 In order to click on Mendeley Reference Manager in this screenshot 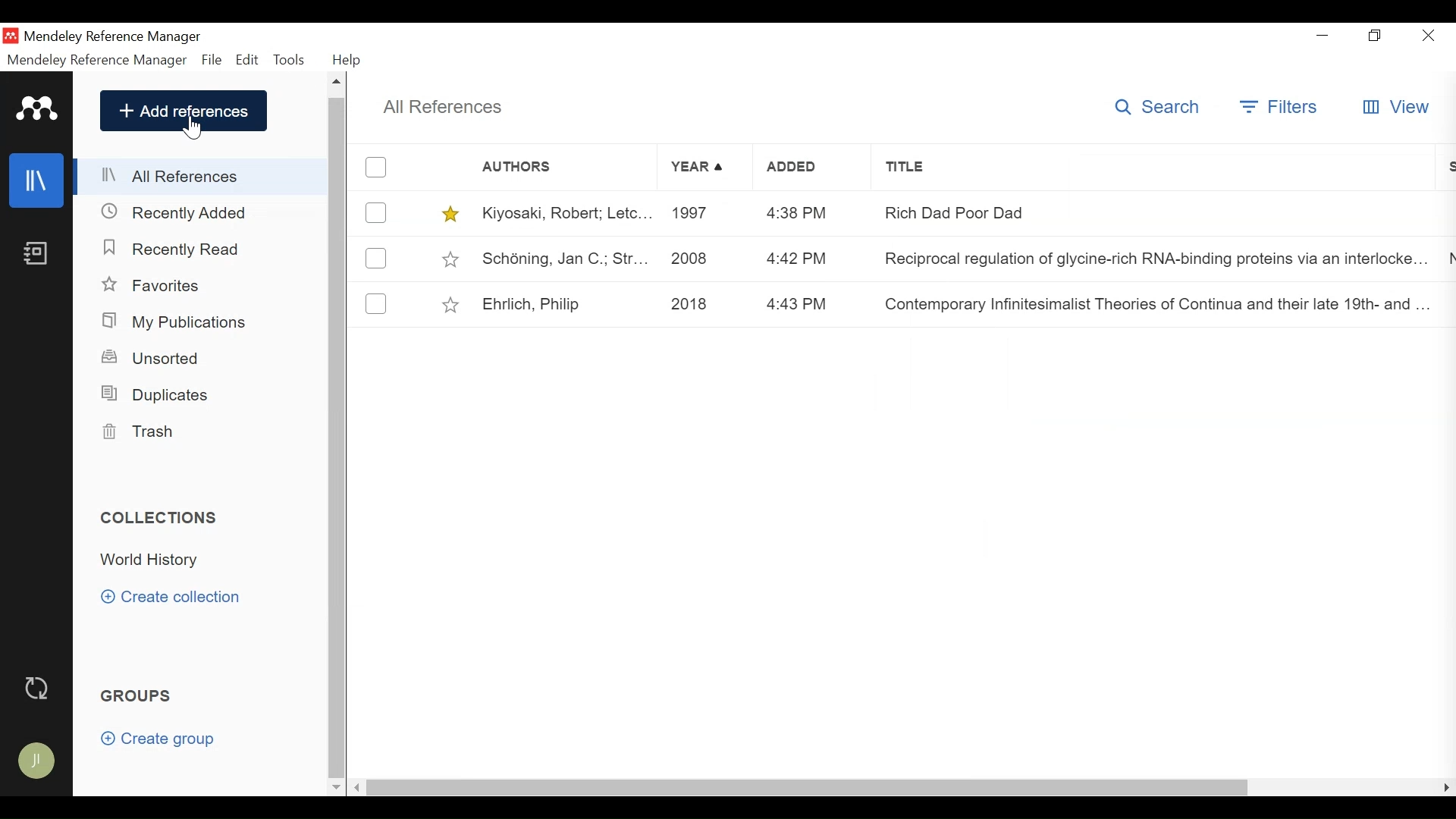, I will do `click(115, 36)`.